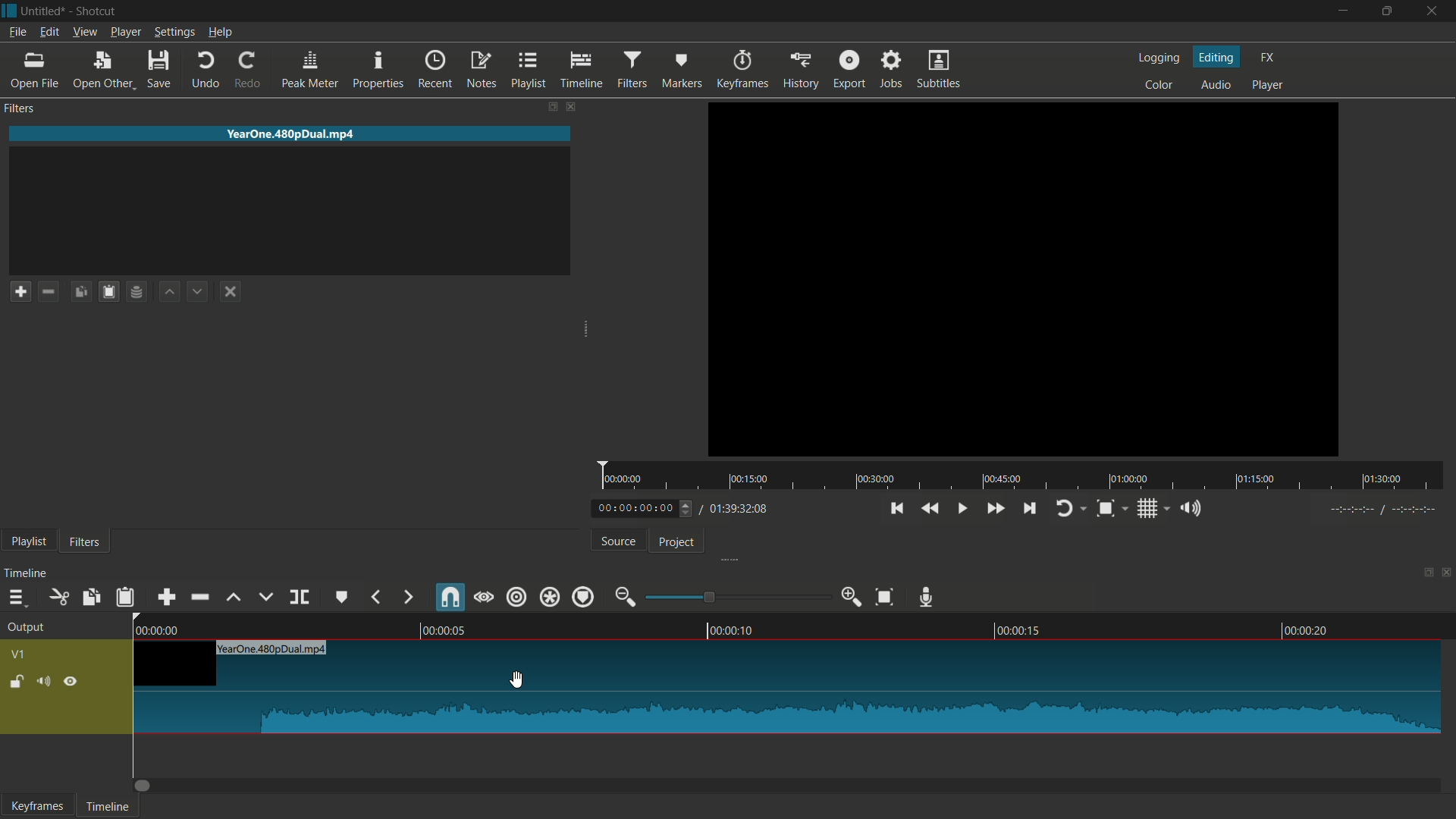  What do you see at coordinates (1022, 278) in the screenshot?
I see `preview window` at bounding box center [1022, 278].